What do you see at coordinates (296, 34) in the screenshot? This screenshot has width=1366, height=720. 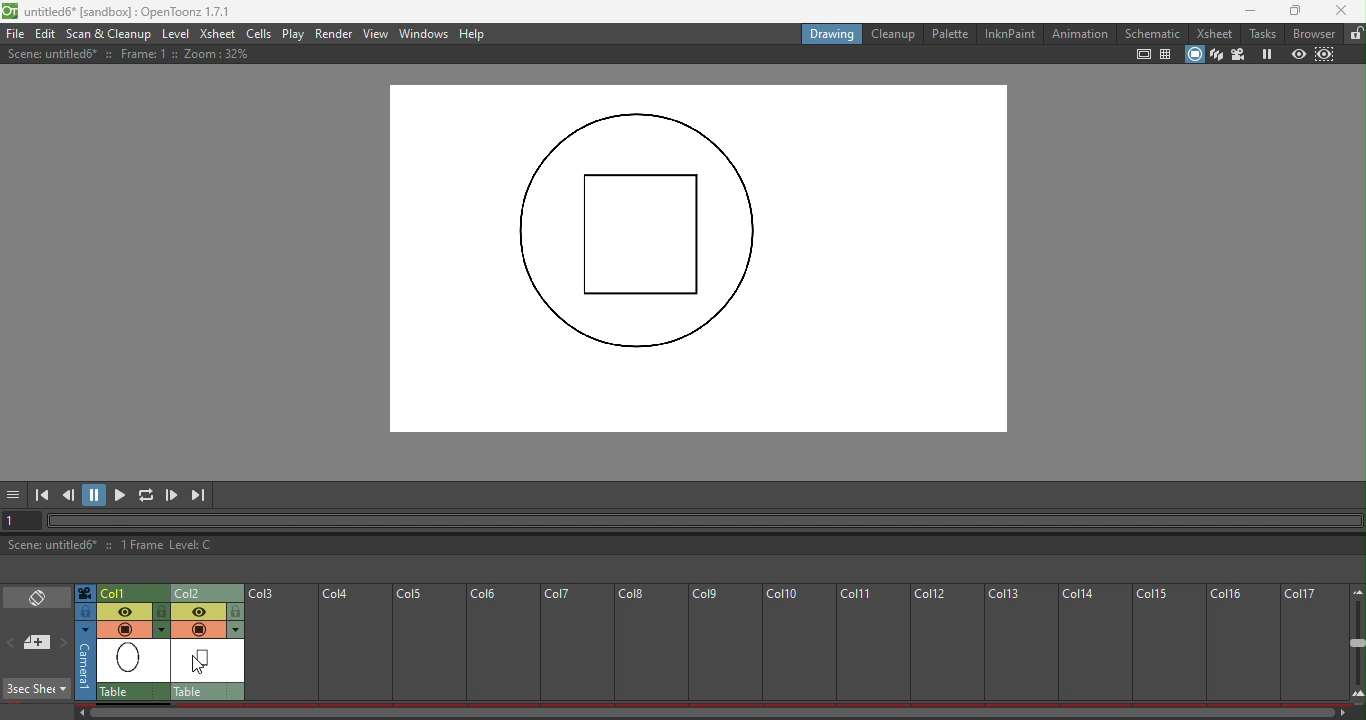 I see `Play` at bounding box center [296, 34].